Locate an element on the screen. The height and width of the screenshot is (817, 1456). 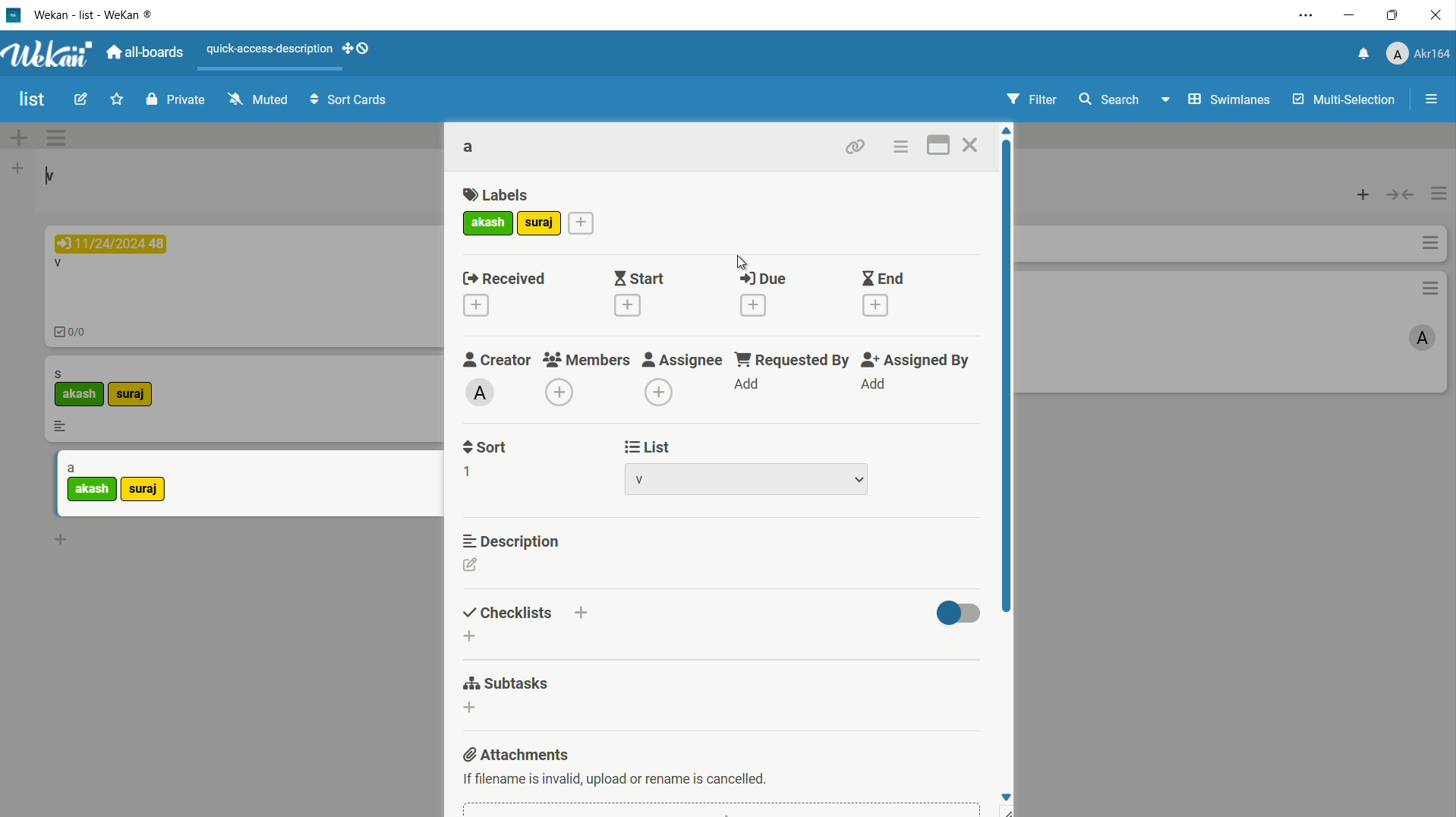
close card is located at coordinates (972, 147).